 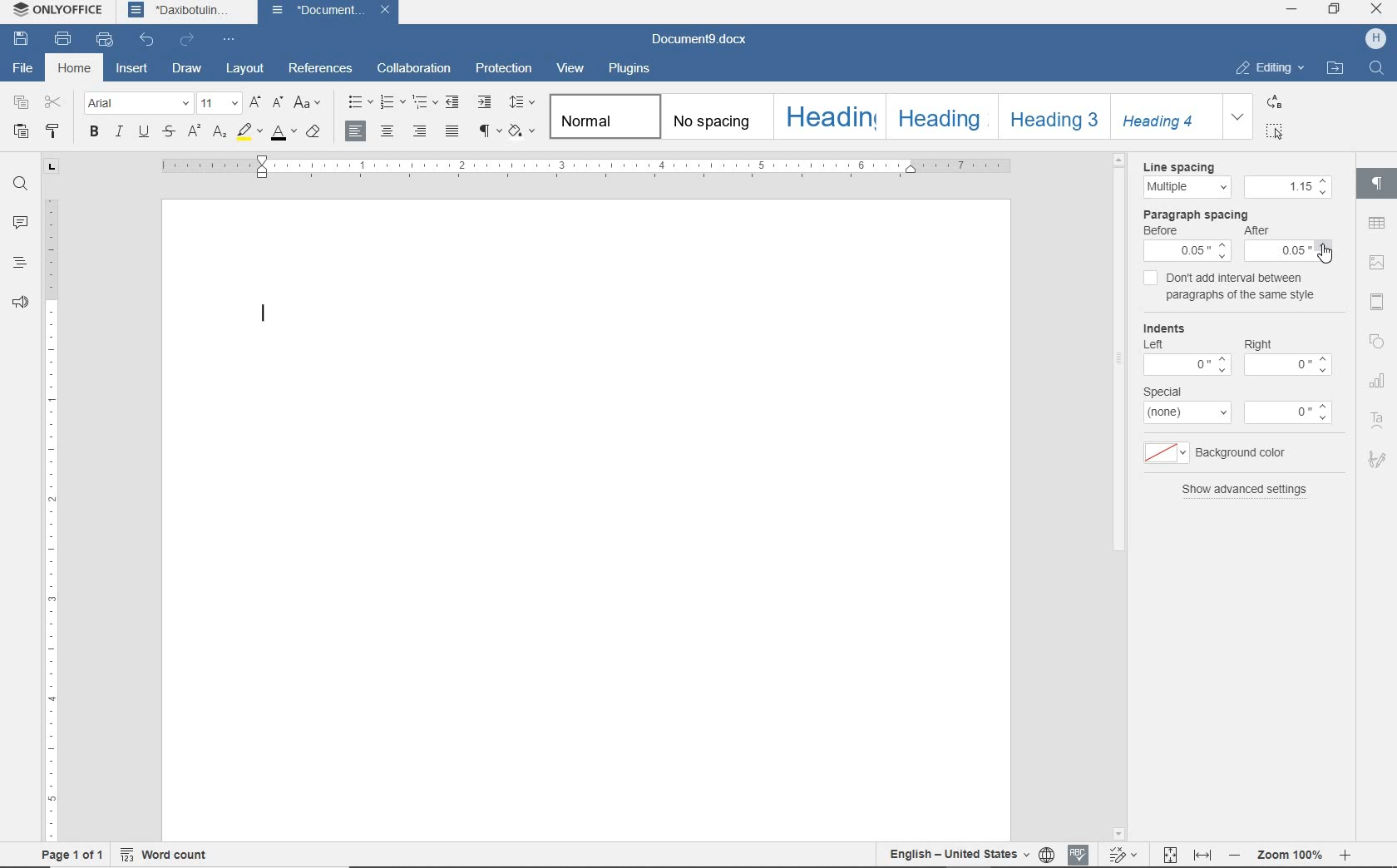 What do you see at coordinates (1377, 301) in the screenshot?
I see `header and footer` at bounding box center [1377, 301].